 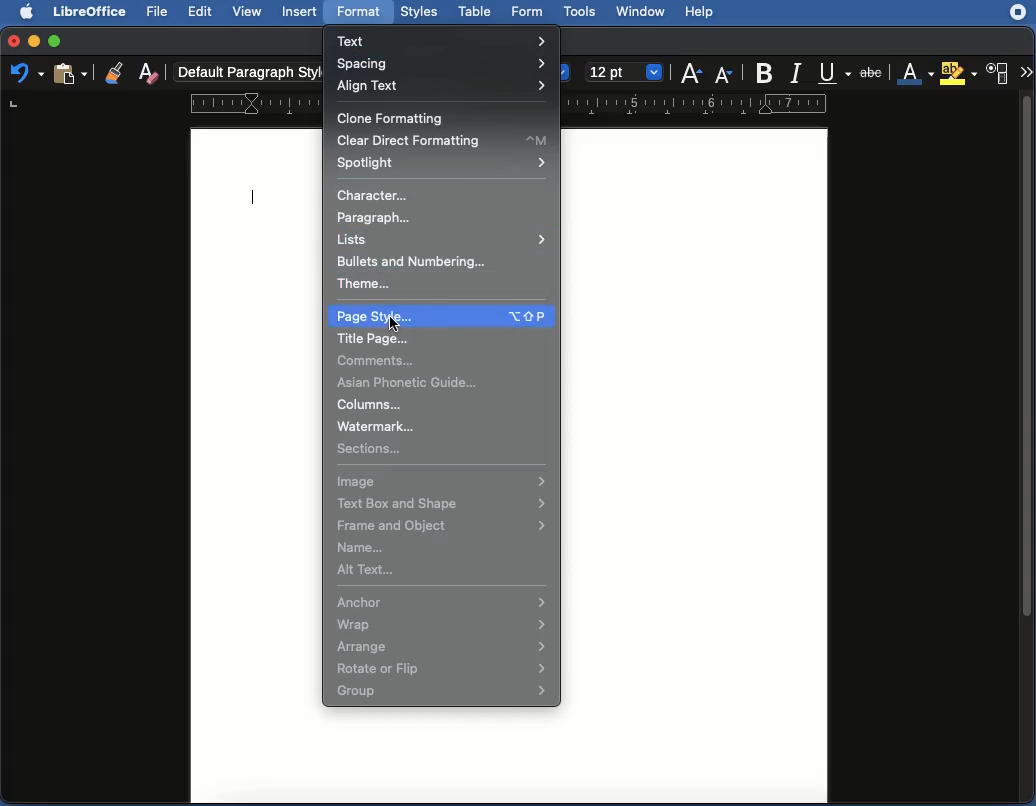 I want to click on Character, so click(x=1000, y=73).